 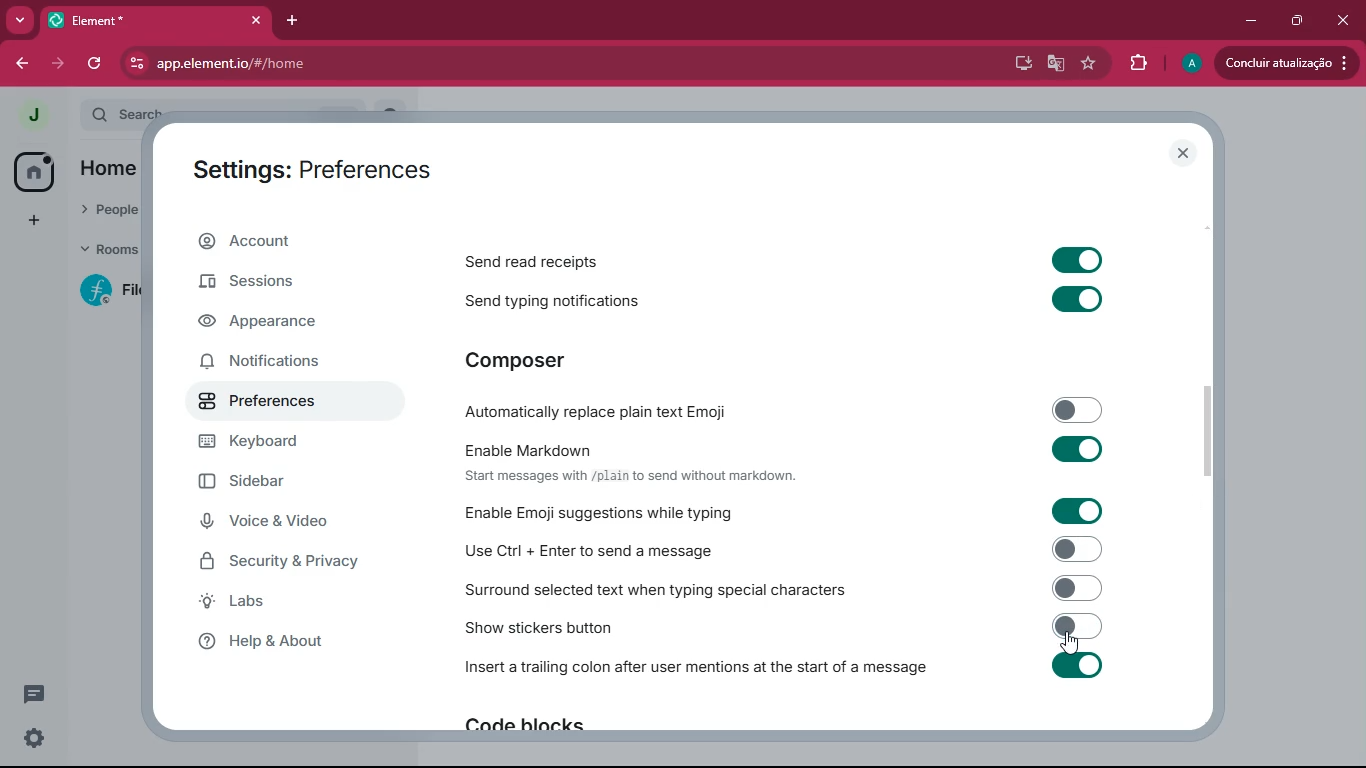 What do you see at coordinates (282, 641) in the screenshot?
I see `help` at bounding box center [282, 641].